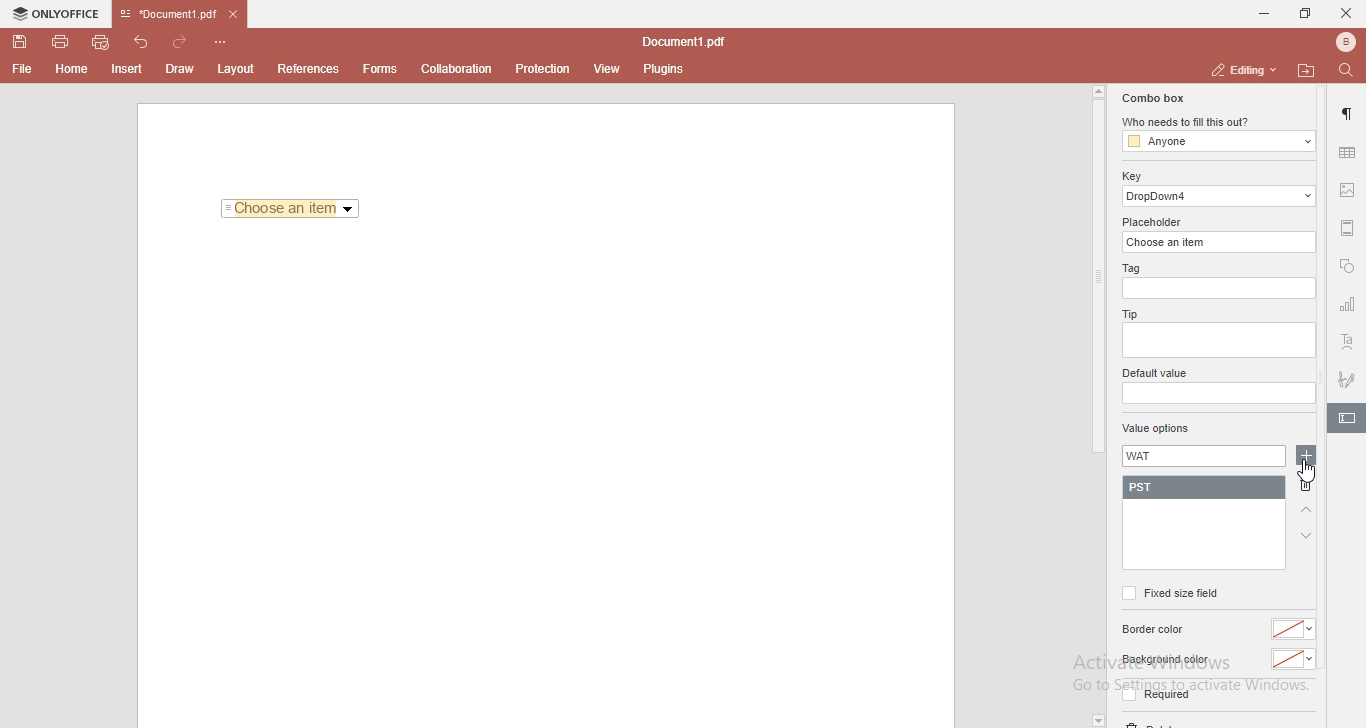 This screenshot has width=1366, height=728. I want to click on signature, so click(1348, 376).